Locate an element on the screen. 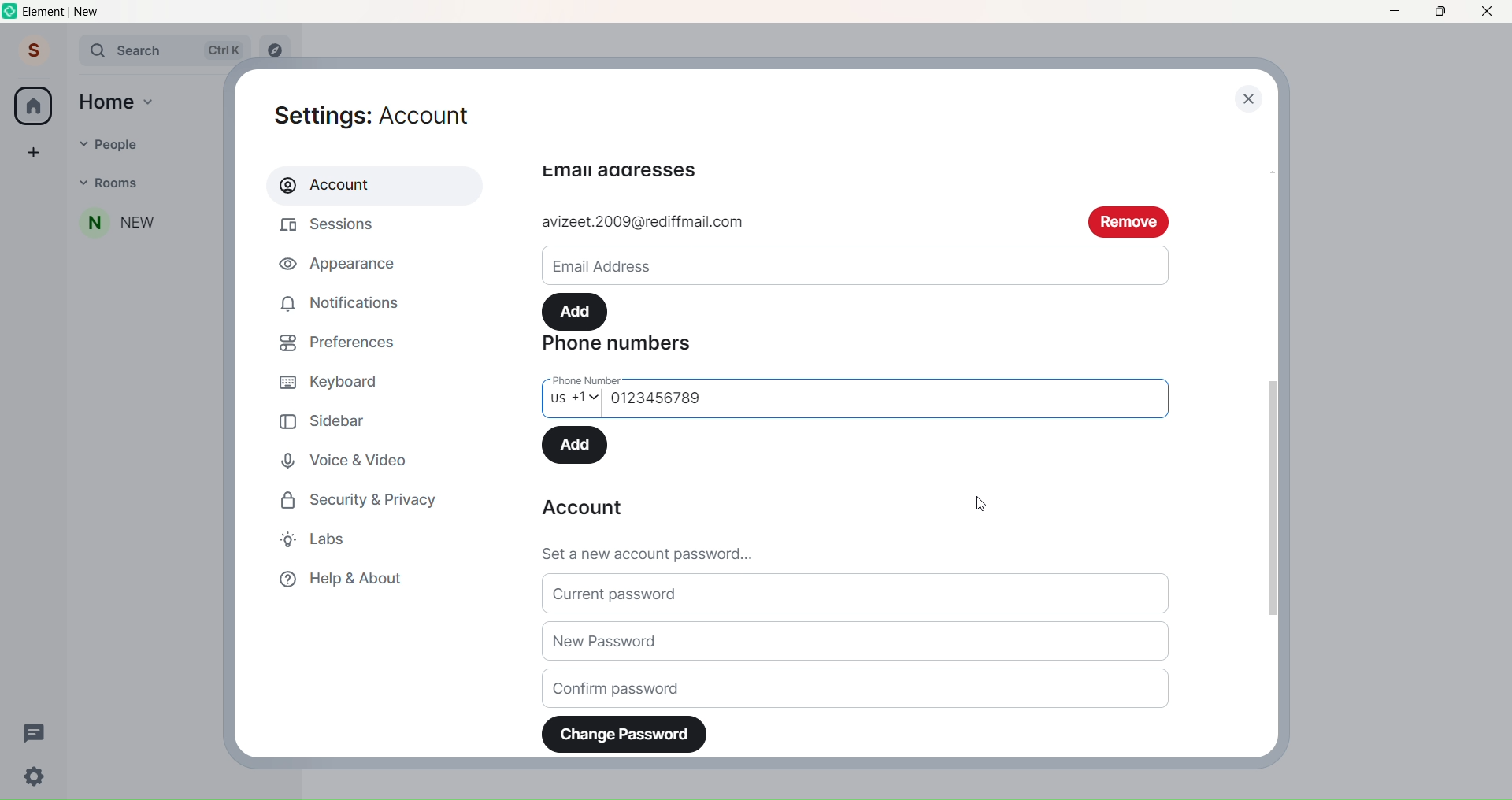 The width and height of the screenshot is (1512, 800). Quick Setting is located at coordinates (36, 778).